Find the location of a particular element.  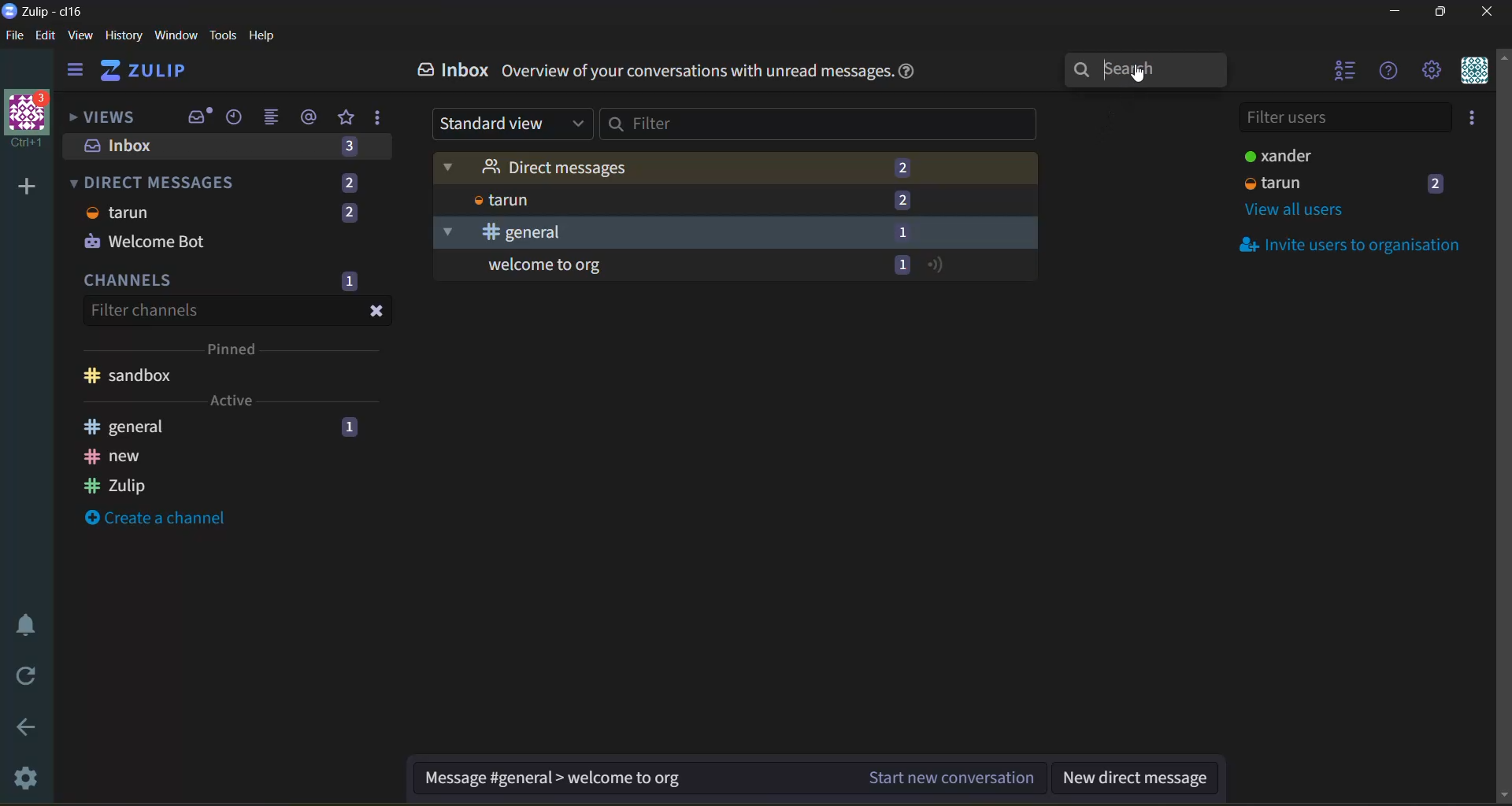

1 is located at coordinates (903, 233).